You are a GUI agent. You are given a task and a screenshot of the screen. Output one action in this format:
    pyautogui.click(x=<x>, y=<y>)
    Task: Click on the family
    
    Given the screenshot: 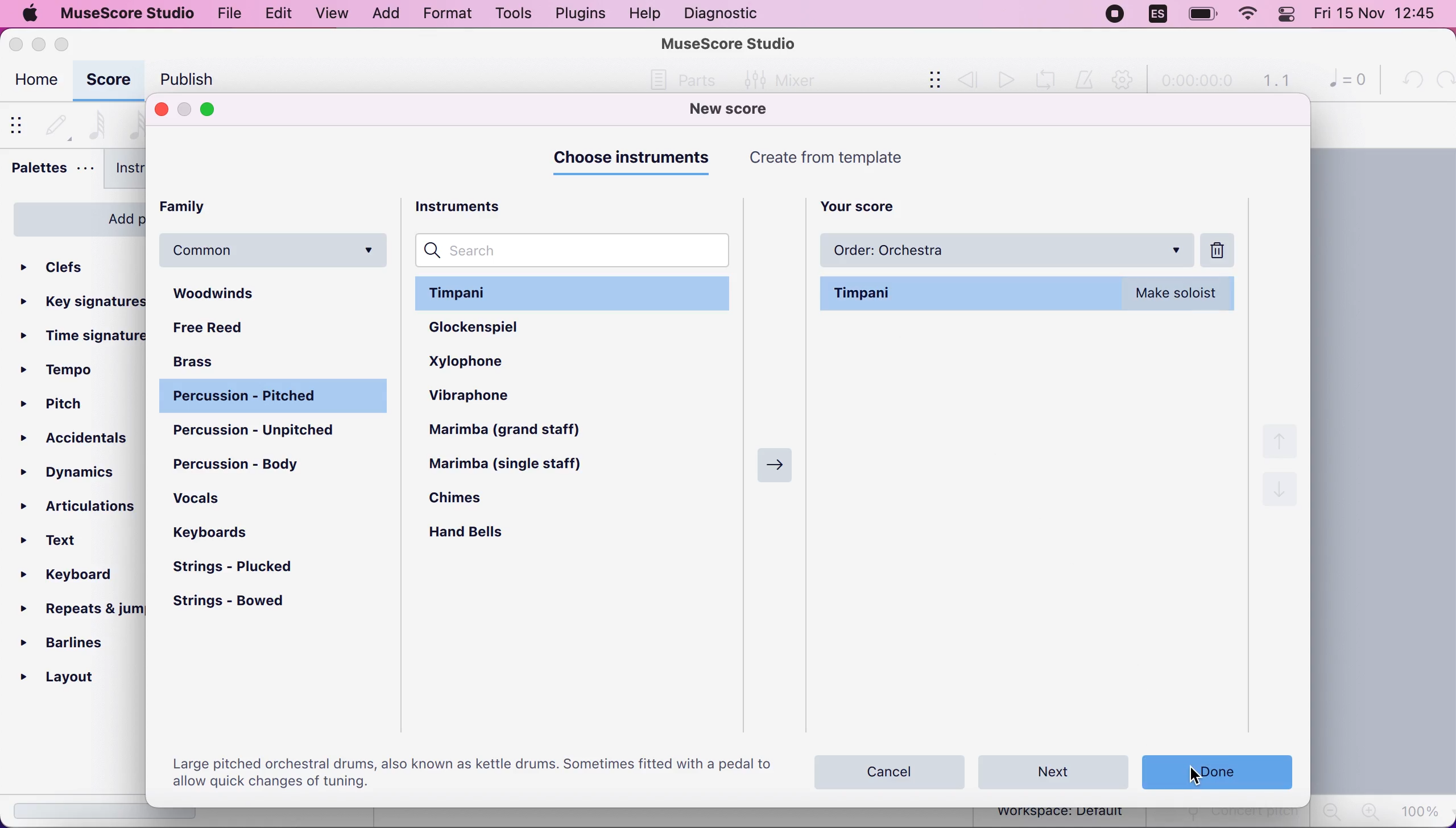 What is the action you would take?
    pyautogui.click(x=204, y=208)
    